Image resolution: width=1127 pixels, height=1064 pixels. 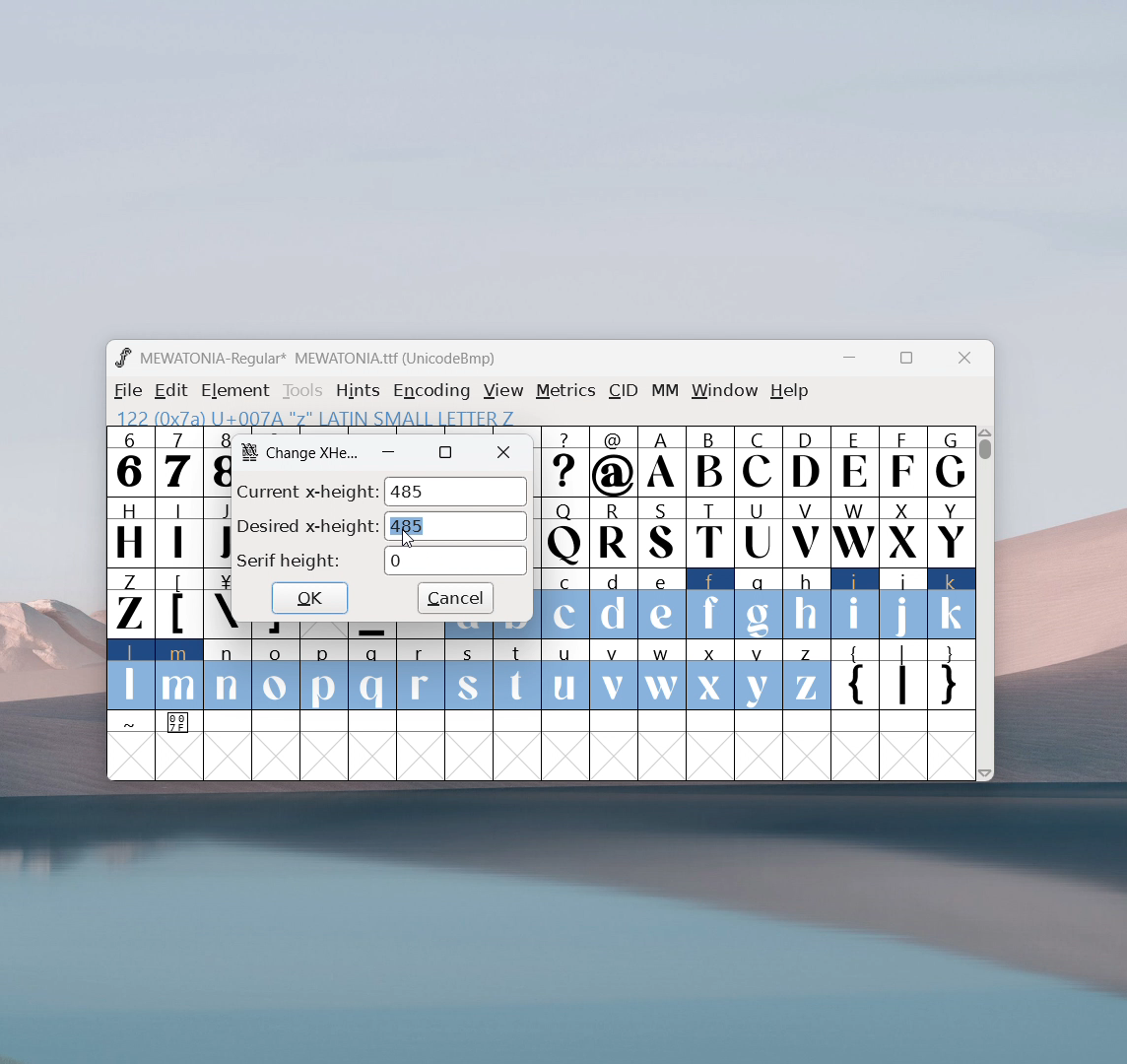 What do you see at coordinates (306, 490) in the screenshot?
I see `current x-height:` at bounding box center [306, 490].